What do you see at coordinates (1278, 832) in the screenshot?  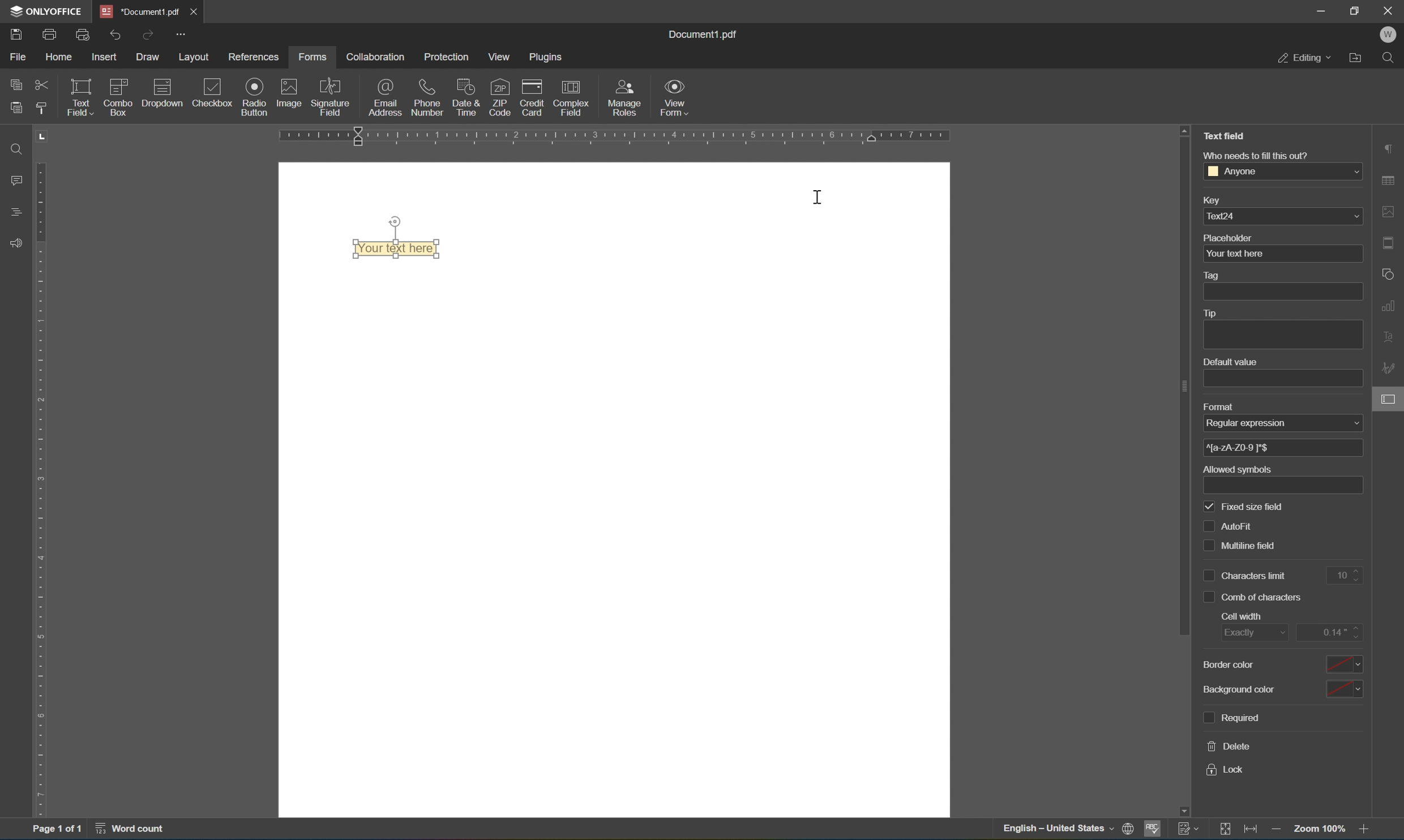 I see `zoom out` at bounding box center [1278, 832].